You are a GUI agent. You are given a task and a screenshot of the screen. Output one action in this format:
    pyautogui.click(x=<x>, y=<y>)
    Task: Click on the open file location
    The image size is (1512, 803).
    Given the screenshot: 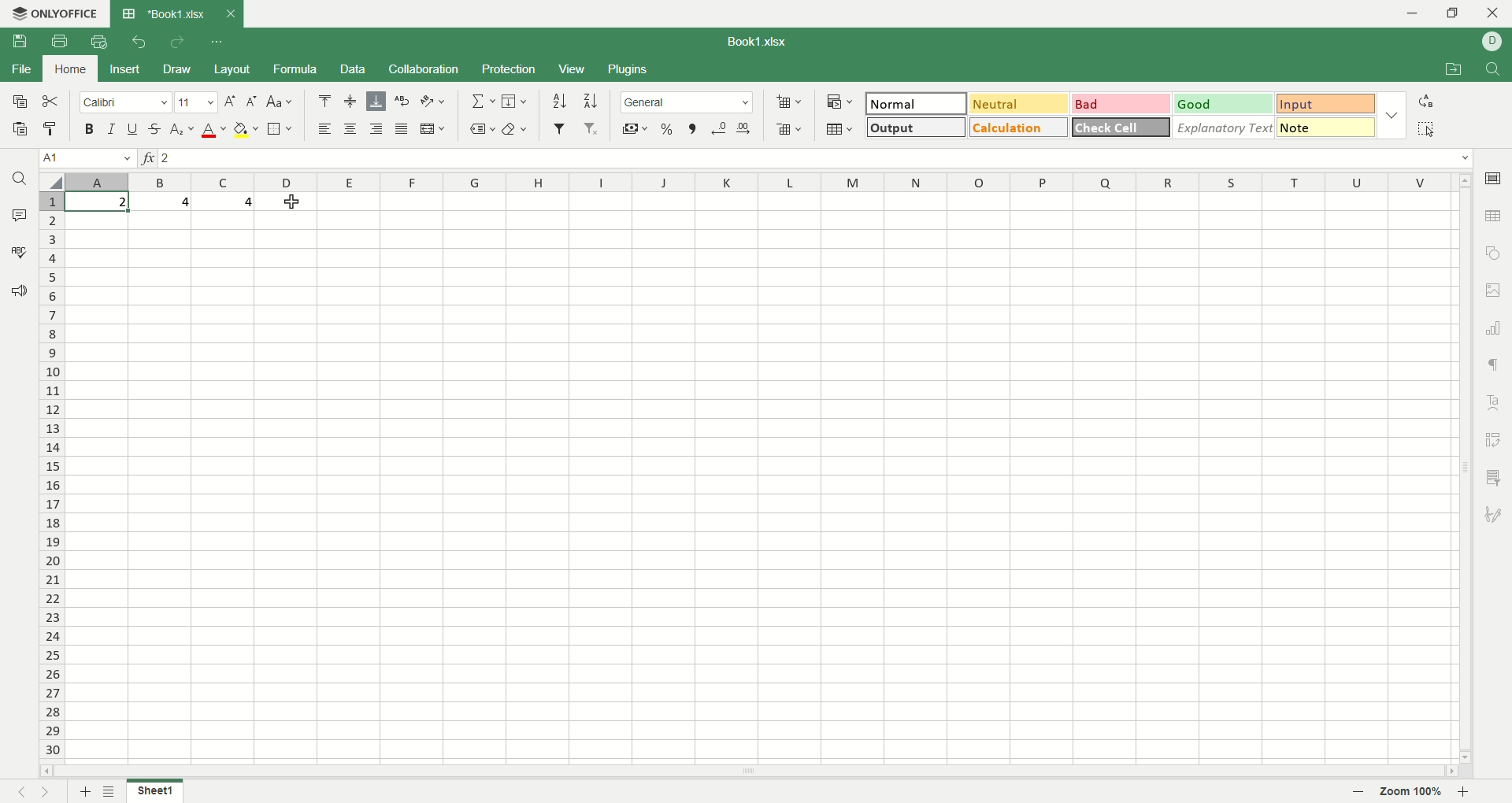 What is the action you would take?
    pyautogui.click(x=1451, y=71)
    